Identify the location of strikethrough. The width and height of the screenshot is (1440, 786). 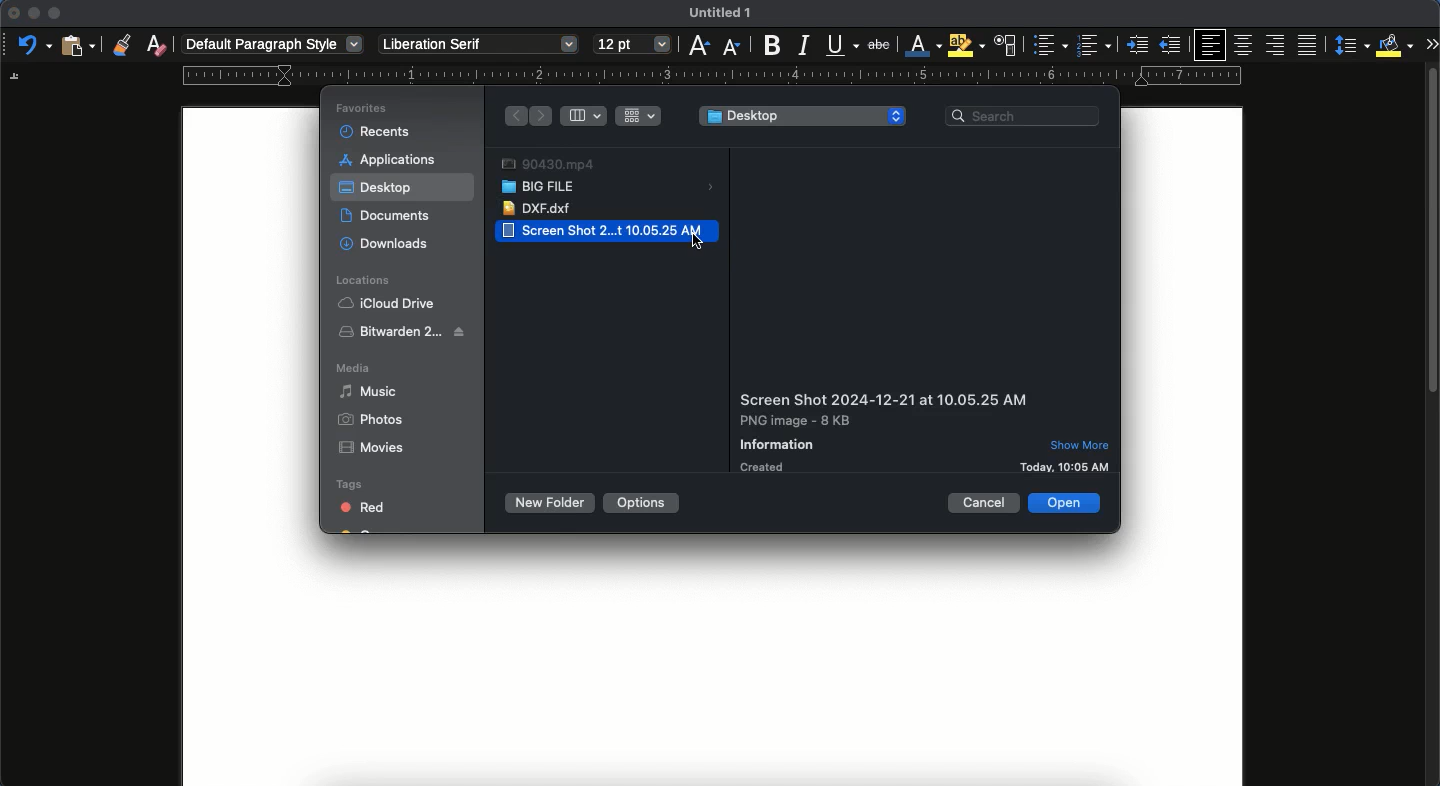
(879, 44).